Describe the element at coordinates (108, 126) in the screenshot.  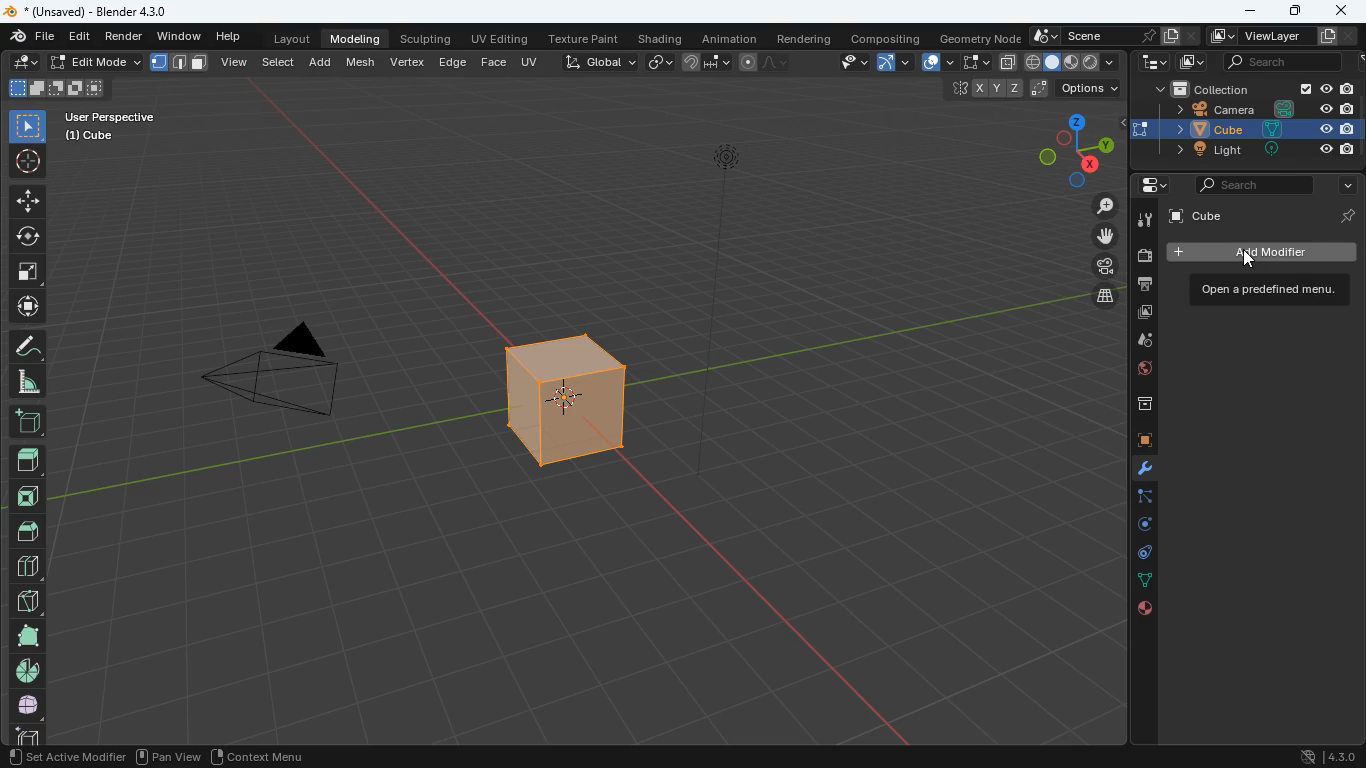
I see `user perspective` at that location.